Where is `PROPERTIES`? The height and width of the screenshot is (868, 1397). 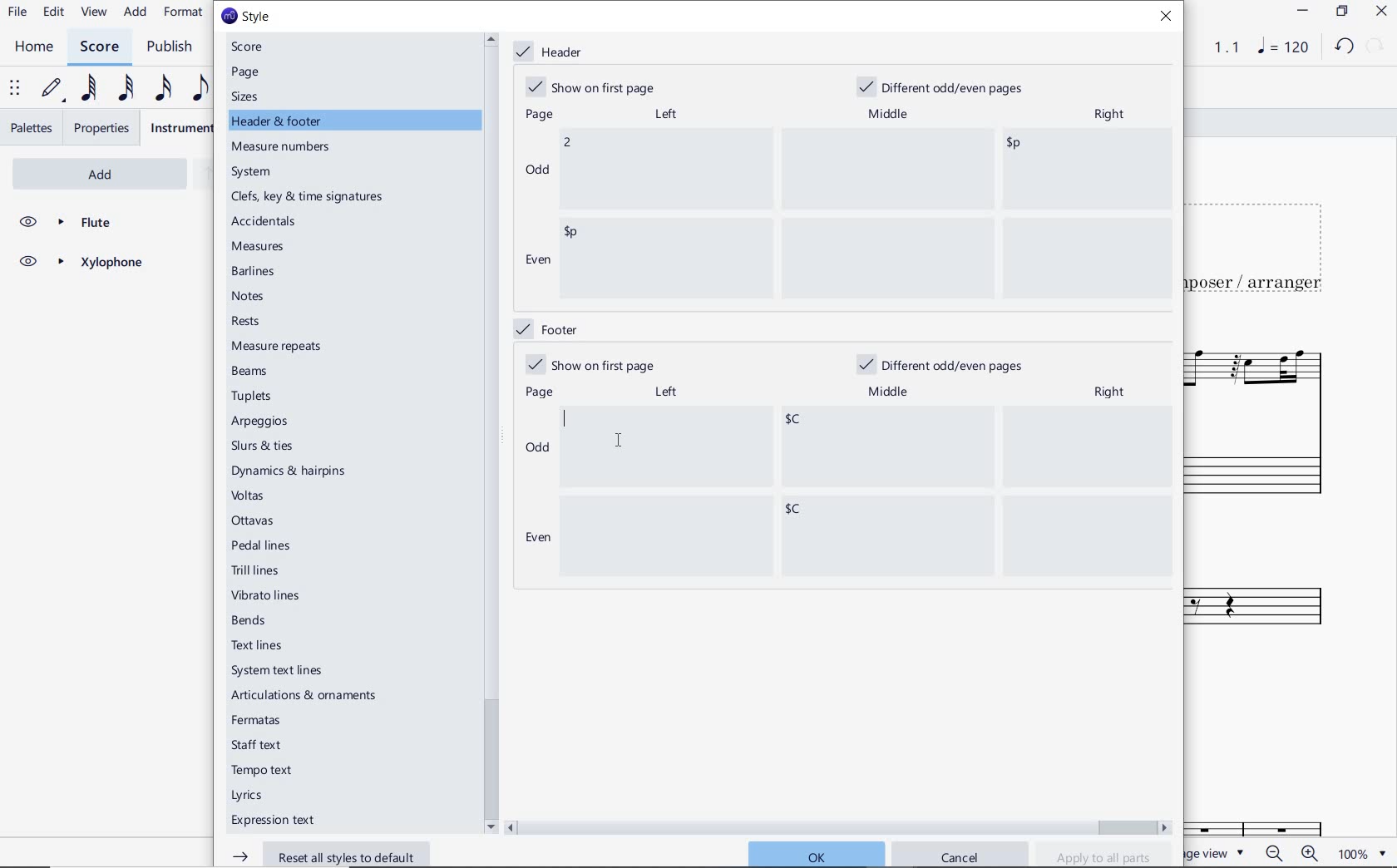 PROPERTIES is located at coordinates (103, 128).